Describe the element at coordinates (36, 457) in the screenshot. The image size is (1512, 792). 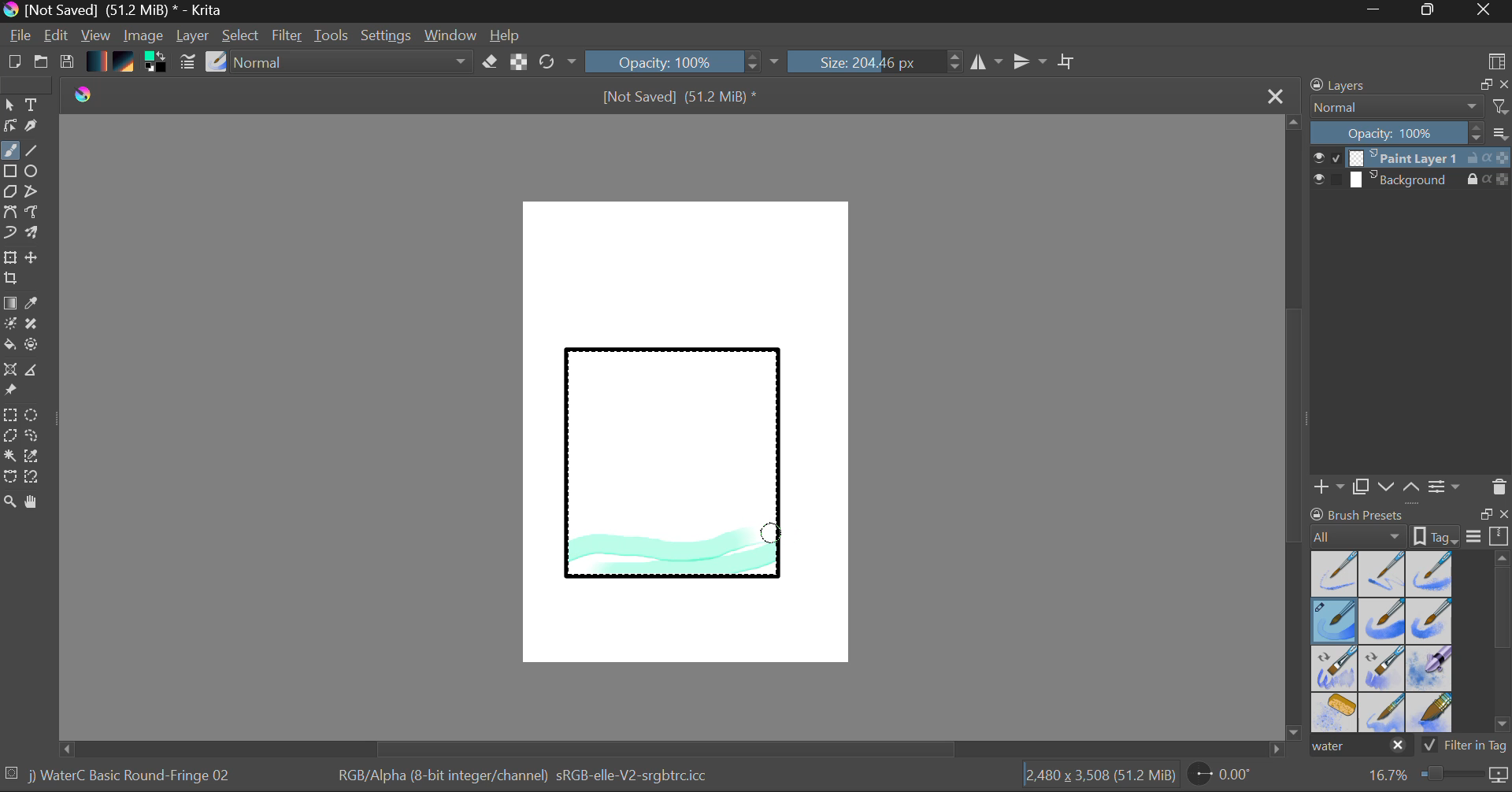
I see `Similar Color Selector` at that location.